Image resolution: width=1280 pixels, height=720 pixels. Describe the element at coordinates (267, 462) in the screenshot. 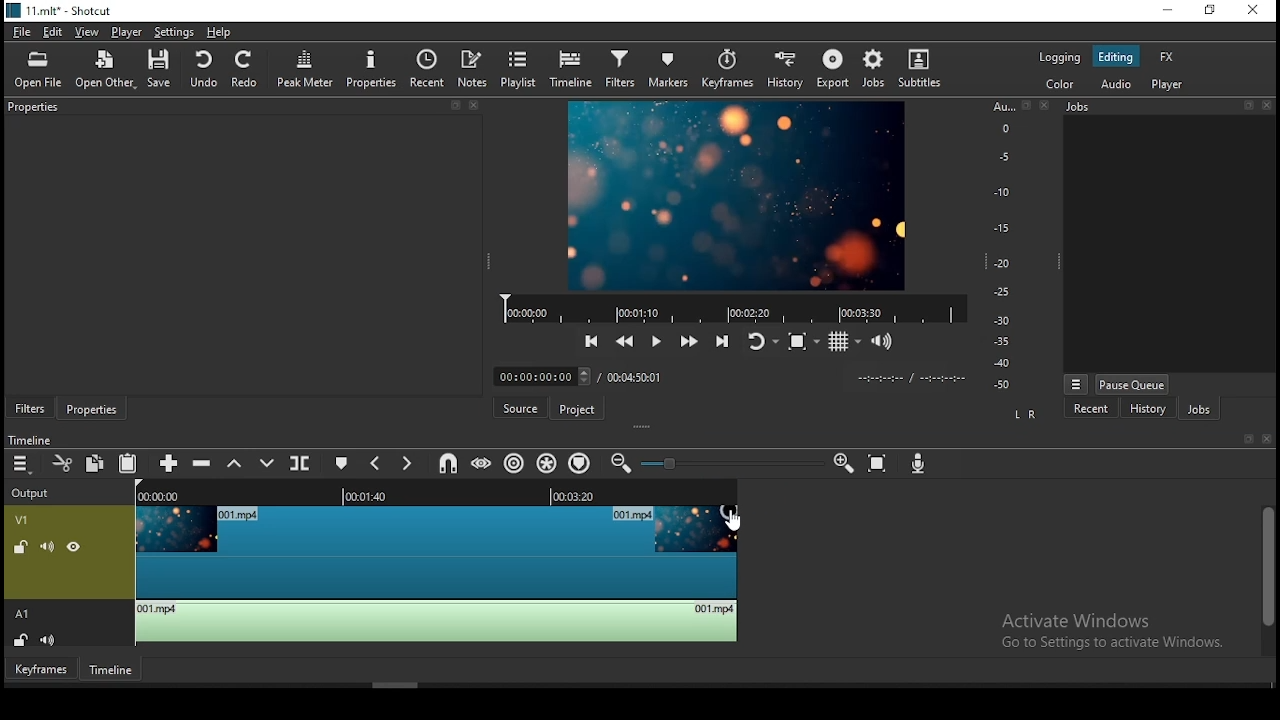

I see `overwrite` at that location.